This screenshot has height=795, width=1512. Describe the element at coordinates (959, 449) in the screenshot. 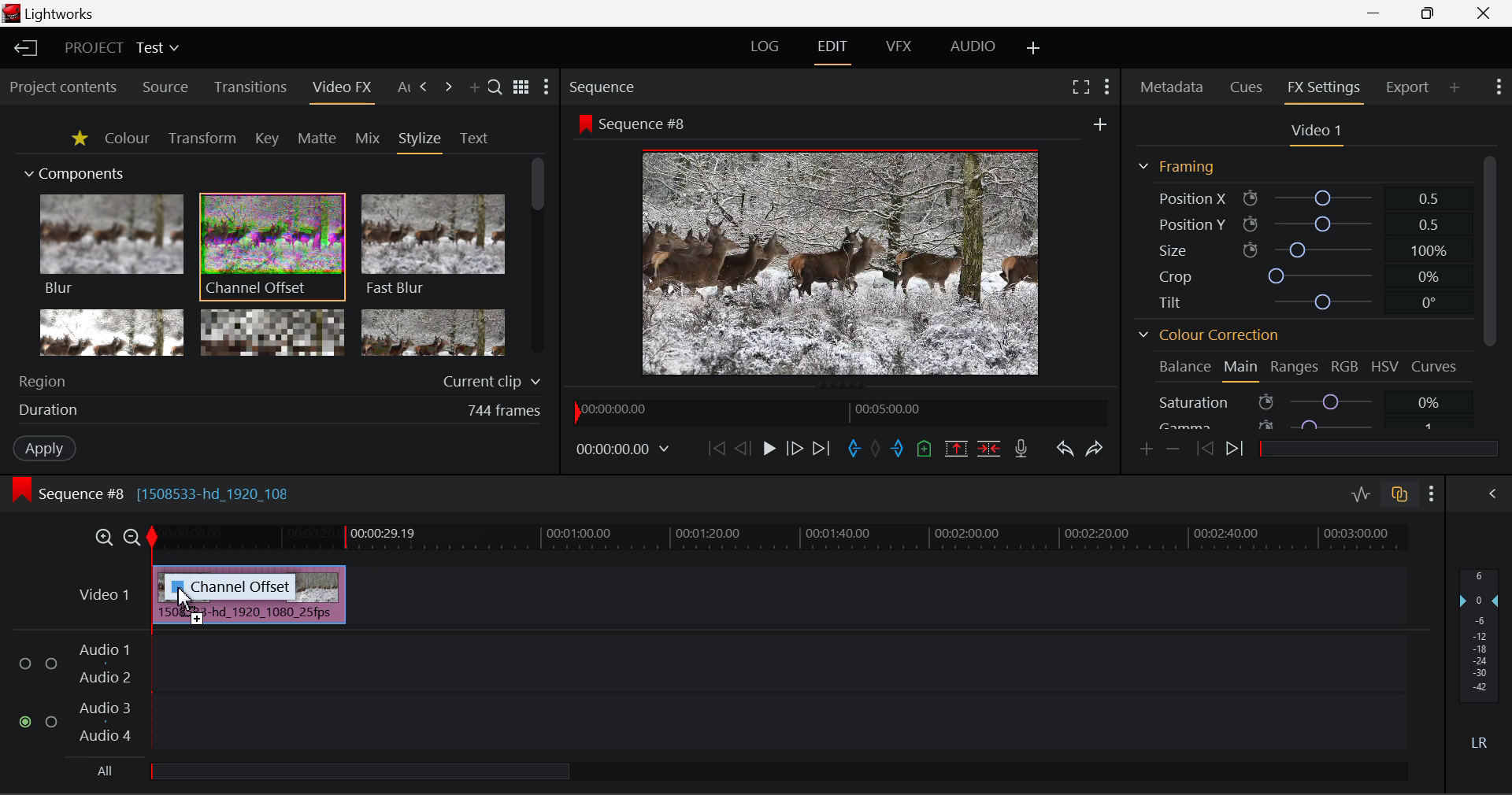

I see `Remove marked Section` at that location.